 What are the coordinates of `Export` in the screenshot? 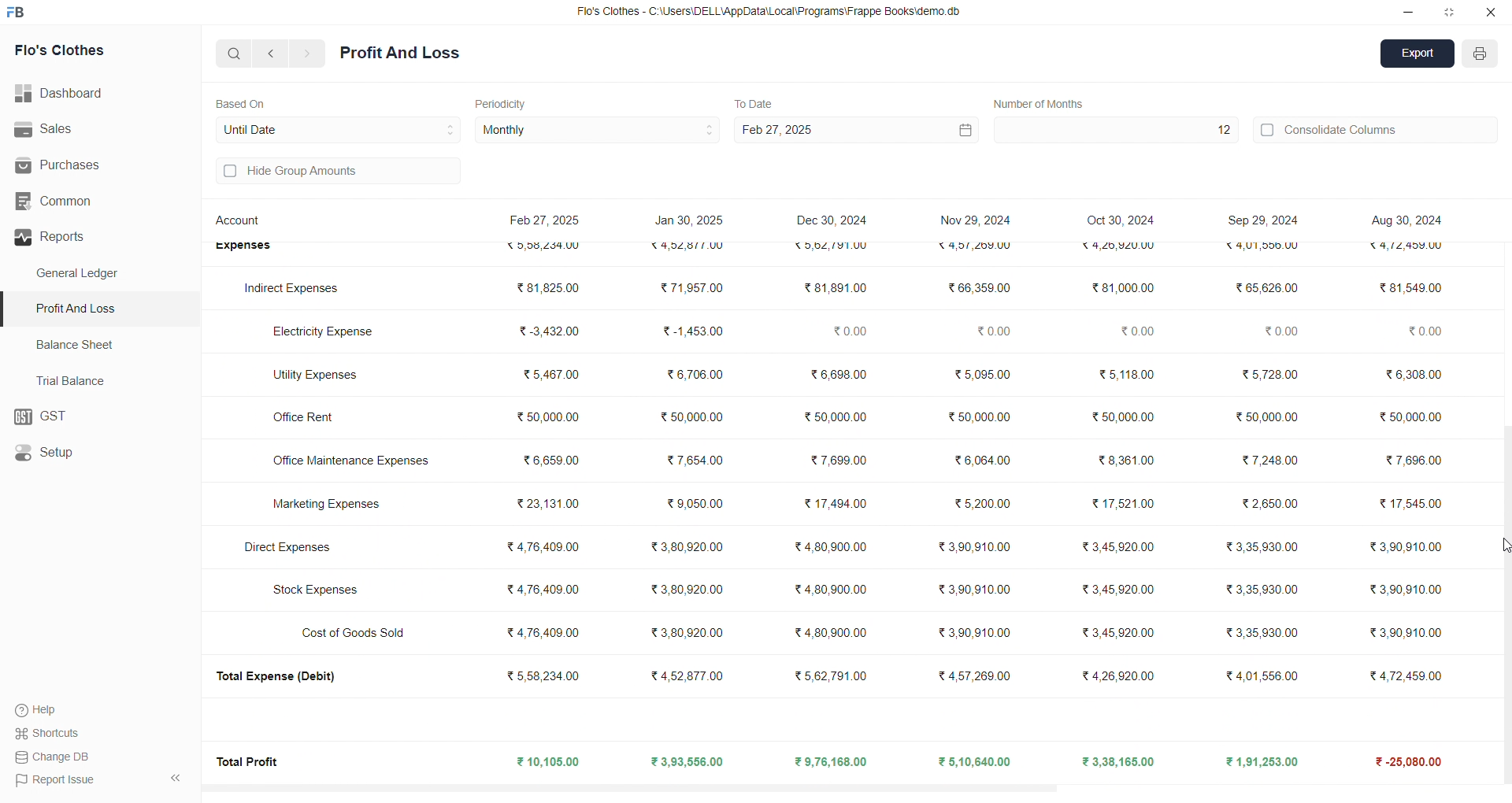 It's located at (1418, 55).